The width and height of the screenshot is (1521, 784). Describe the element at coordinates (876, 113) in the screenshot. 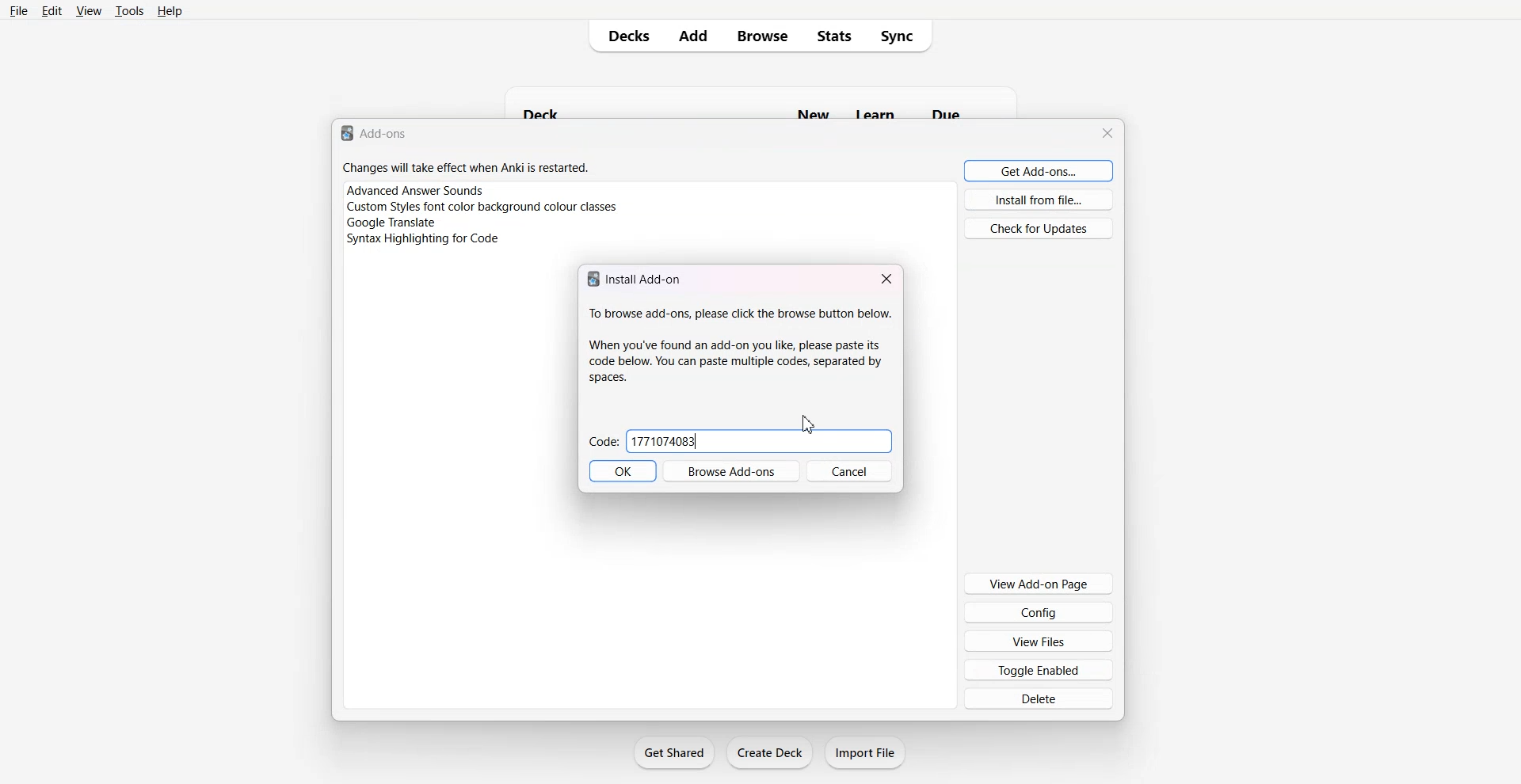

I see `learn` at that location.